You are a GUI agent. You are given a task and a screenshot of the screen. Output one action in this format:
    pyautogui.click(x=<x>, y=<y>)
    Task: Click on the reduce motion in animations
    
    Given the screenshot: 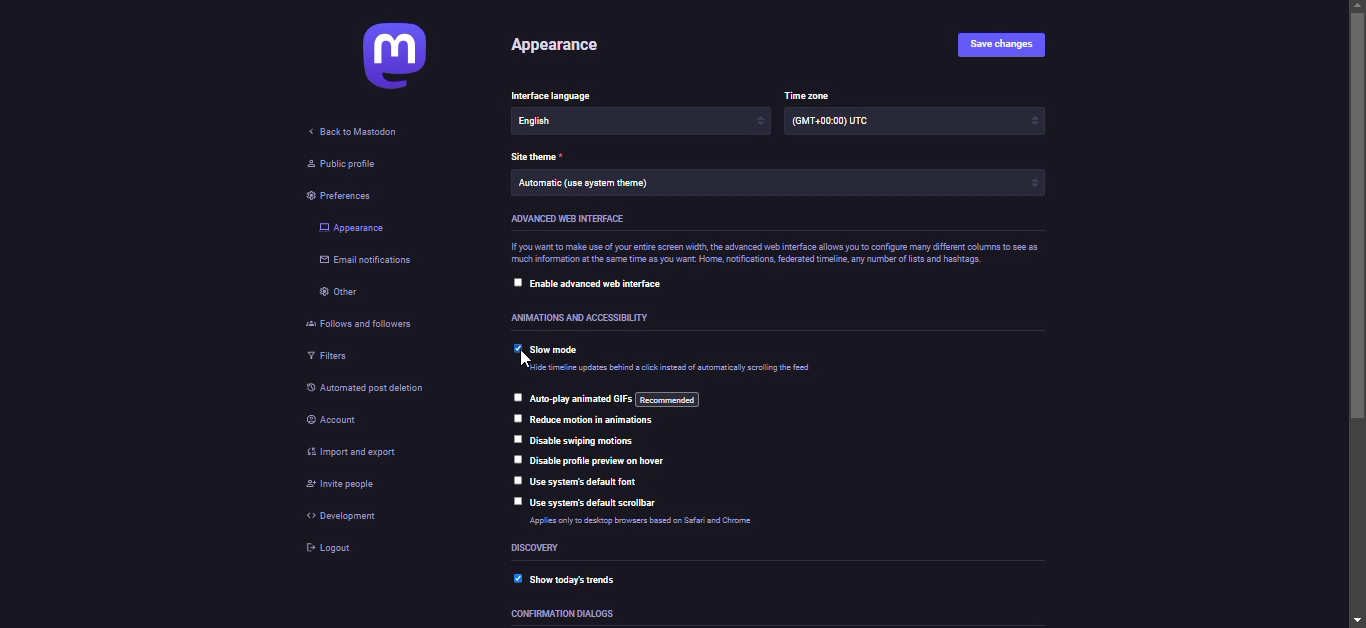 What is the action you would take?
    pyautogui.click(x=594, y=421)
    